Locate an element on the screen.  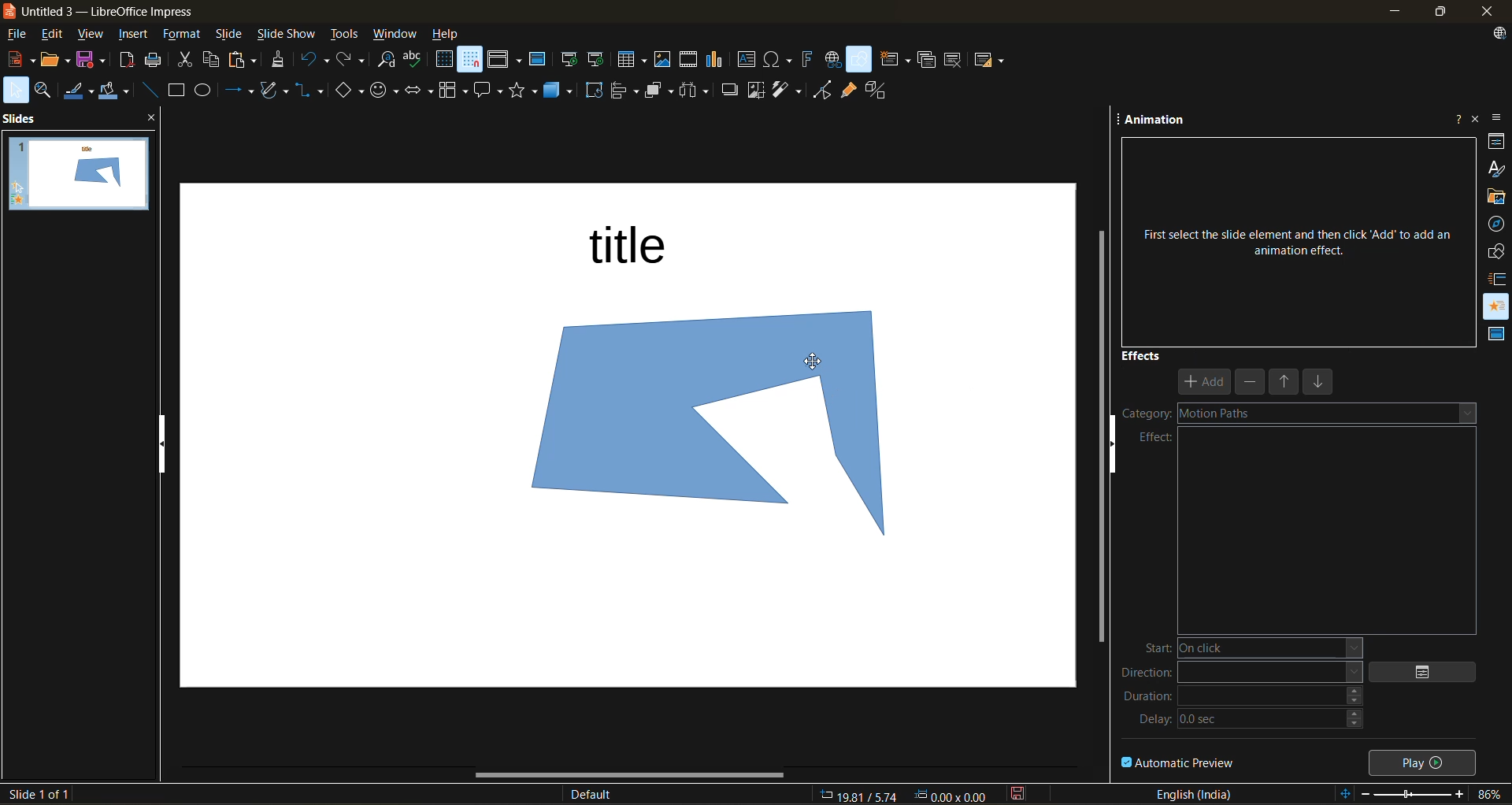
shapes and polygons is located at coordinates (272, 89).